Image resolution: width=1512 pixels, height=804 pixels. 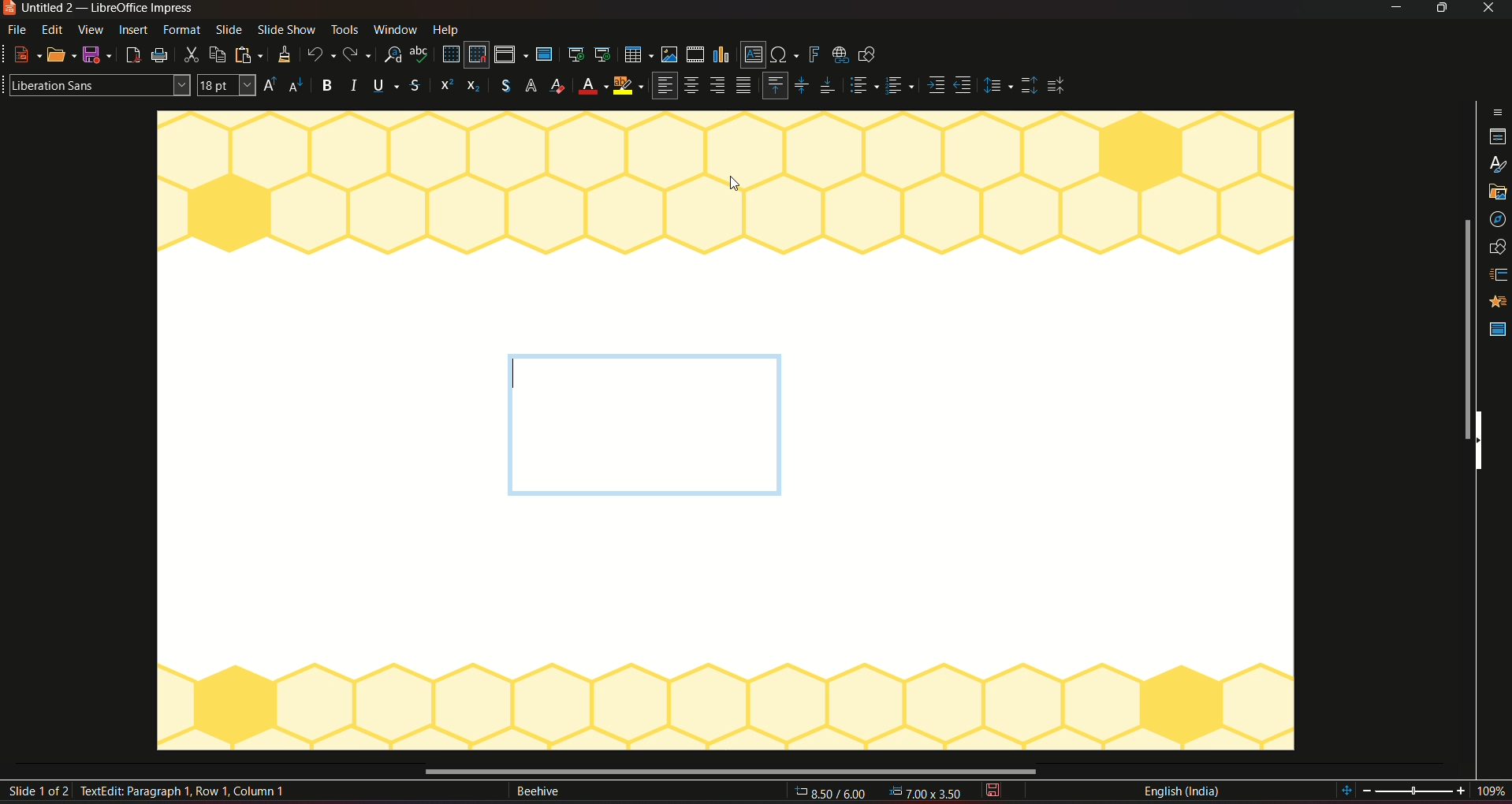 What do you see at coordinates (784, 53) in the screenshot?
I see `insert special character` at bounding box center [784, 53].